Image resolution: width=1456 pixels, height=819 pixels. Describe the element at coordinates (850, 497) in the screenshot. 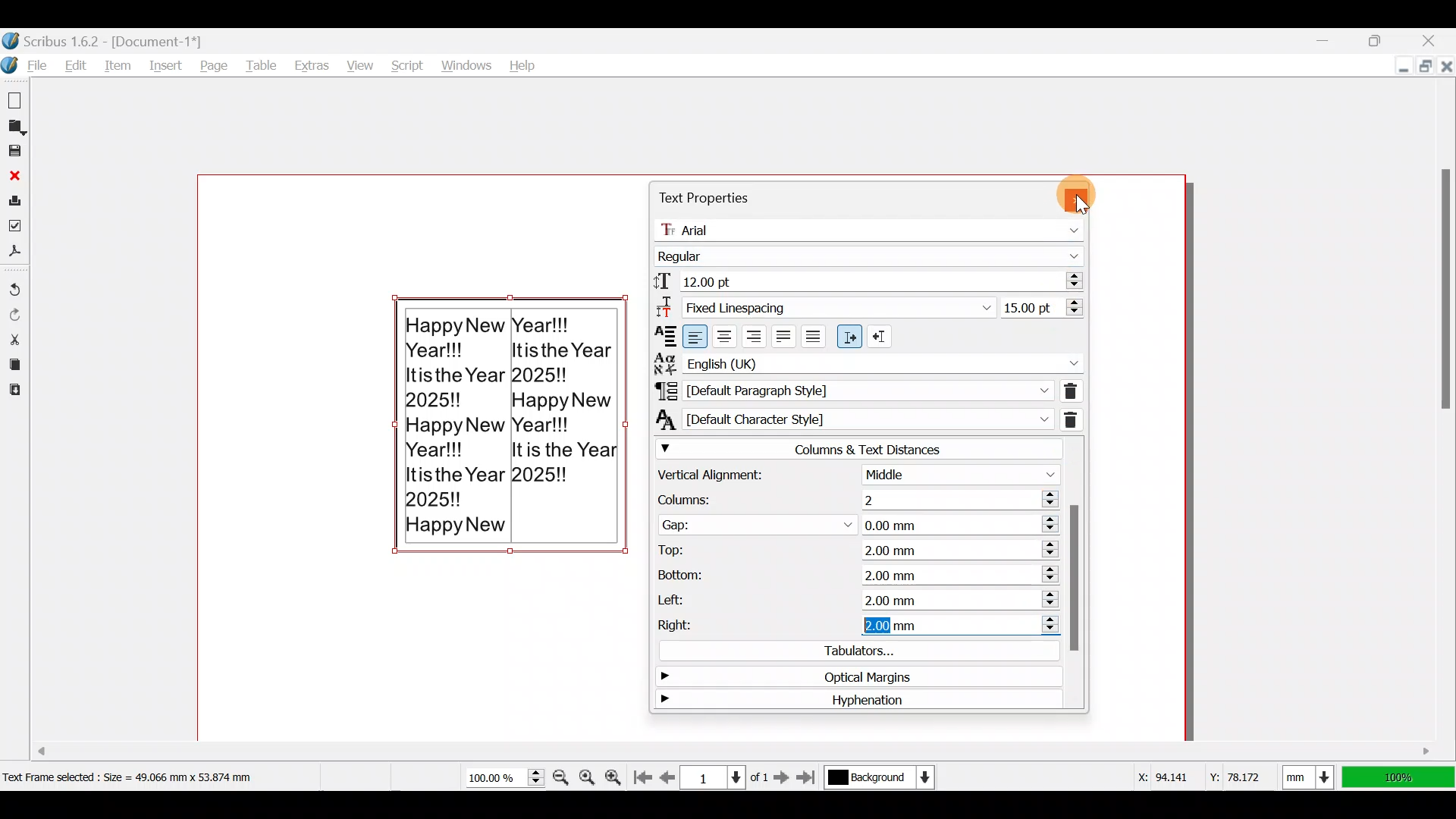

I see `Columns` at that location.